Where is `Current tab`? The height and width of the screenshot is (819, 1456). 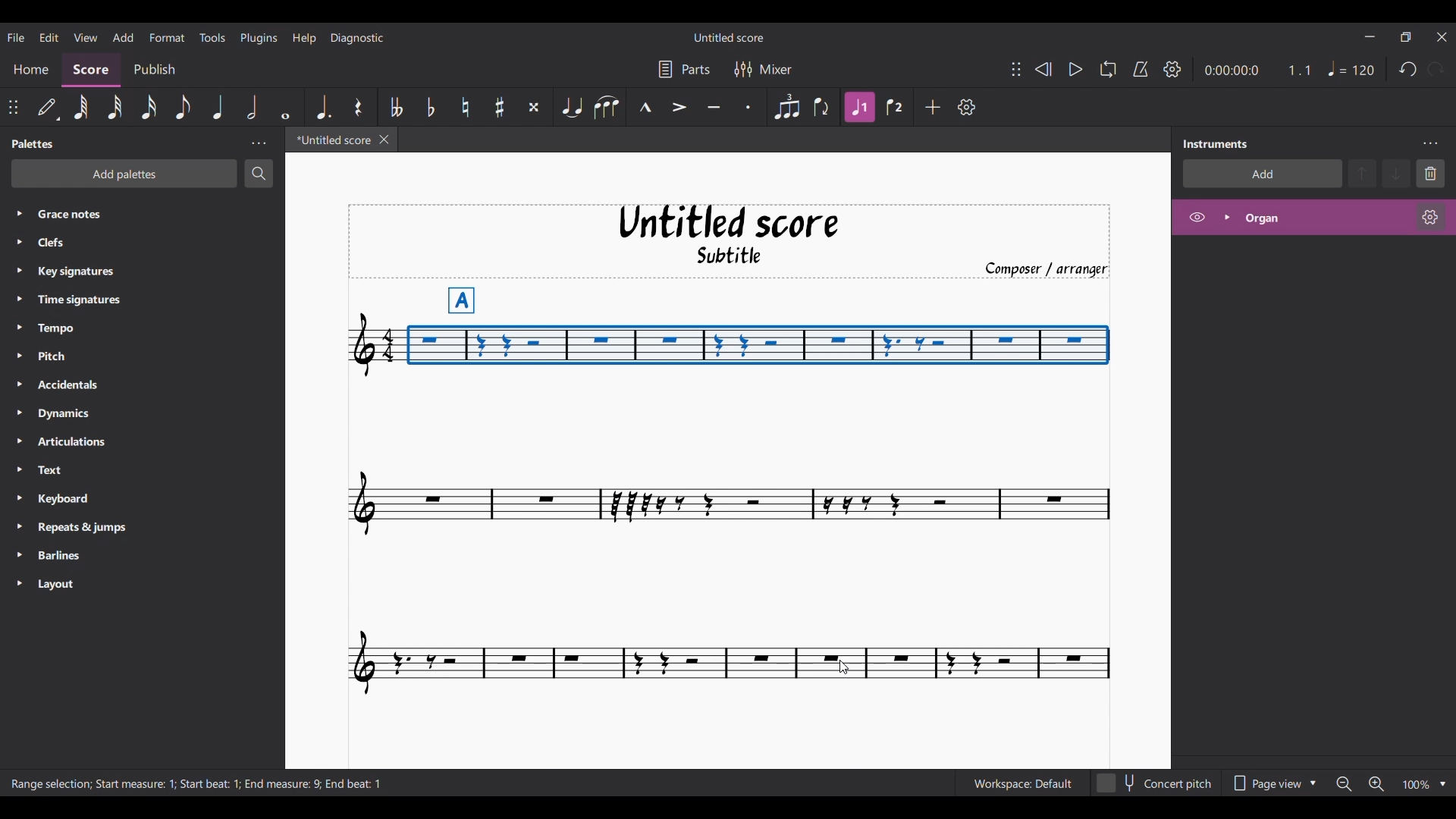
Current tab is located at coordinates (329, 140).